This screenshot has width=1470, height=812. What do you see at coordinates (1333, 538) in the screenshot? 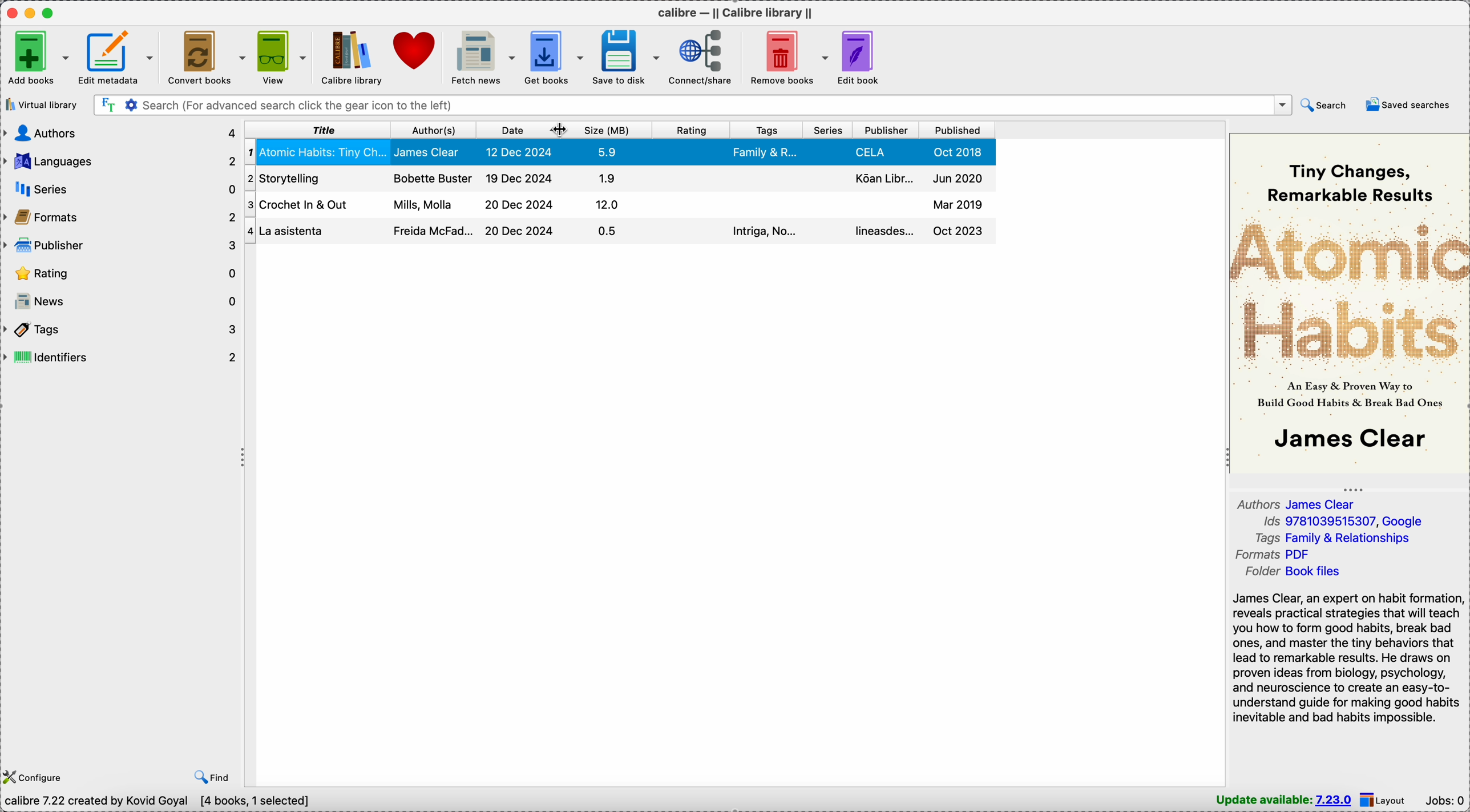
I see `tags Family & Relationships` at bounding box center [1333, 538].